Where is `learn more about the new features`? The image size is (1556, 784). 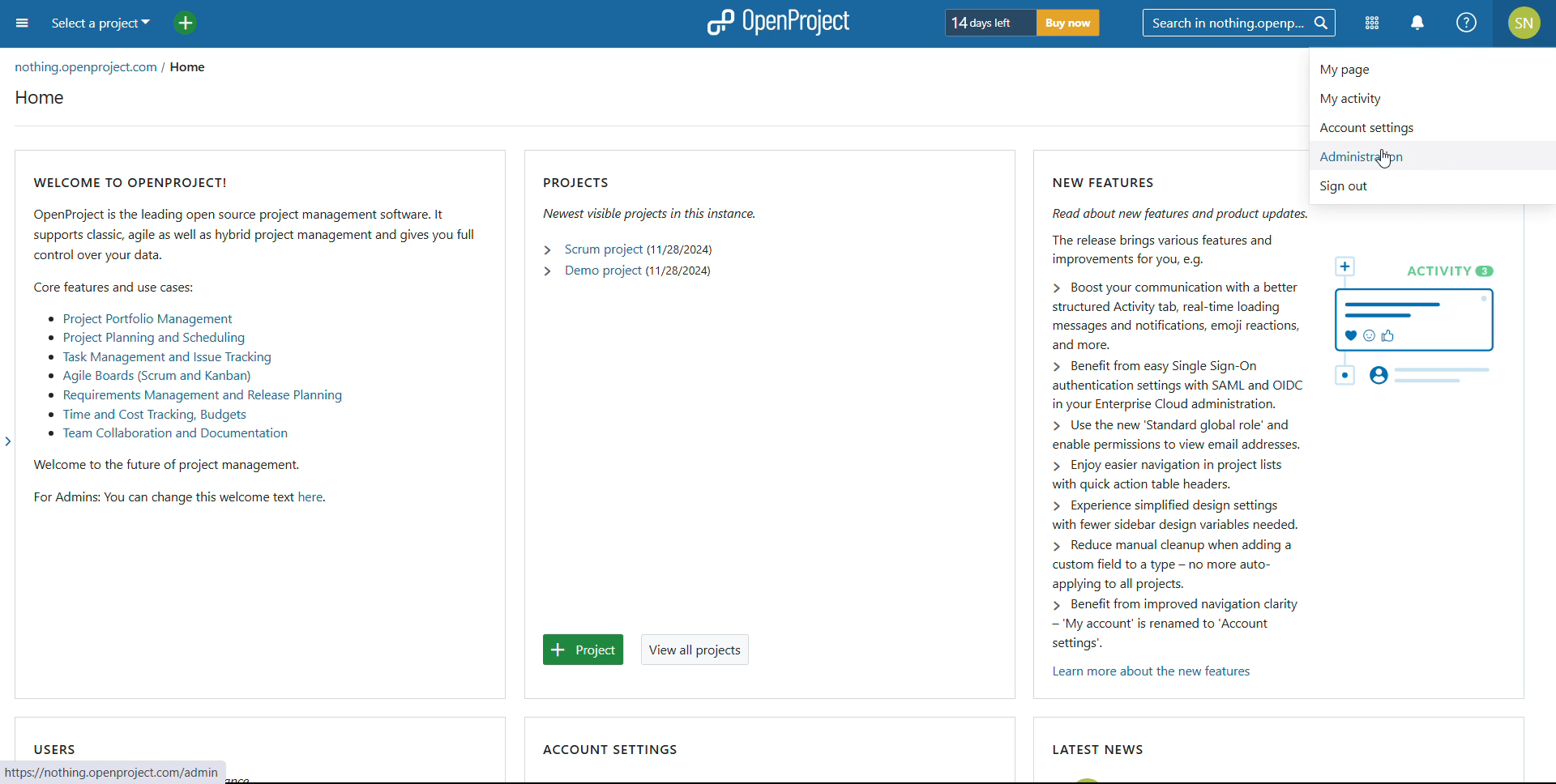
learn more about the new features is located at coordinates (1151, 673).